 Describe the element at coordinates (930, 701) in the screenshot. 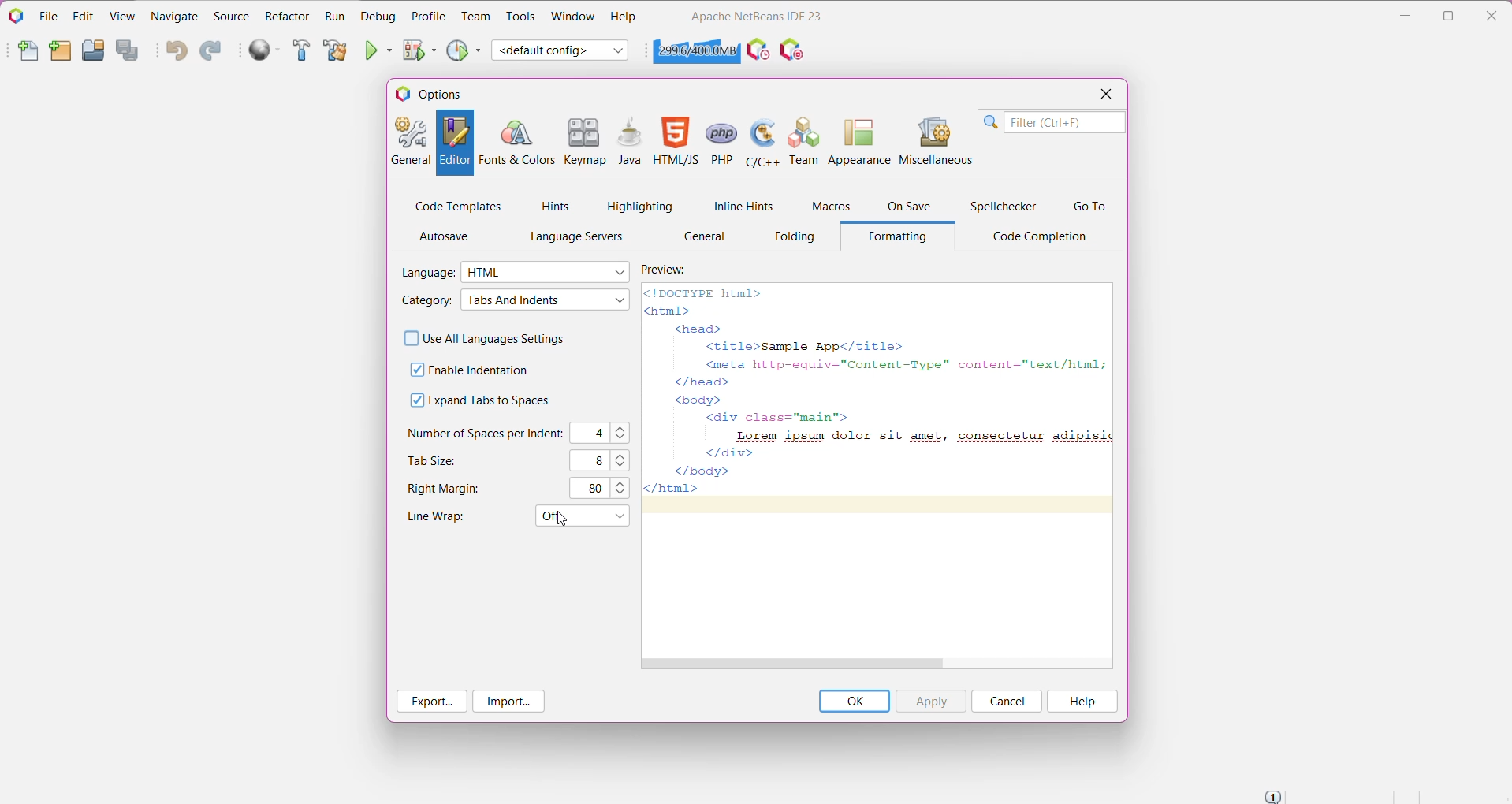

I see `Apply` at that location.